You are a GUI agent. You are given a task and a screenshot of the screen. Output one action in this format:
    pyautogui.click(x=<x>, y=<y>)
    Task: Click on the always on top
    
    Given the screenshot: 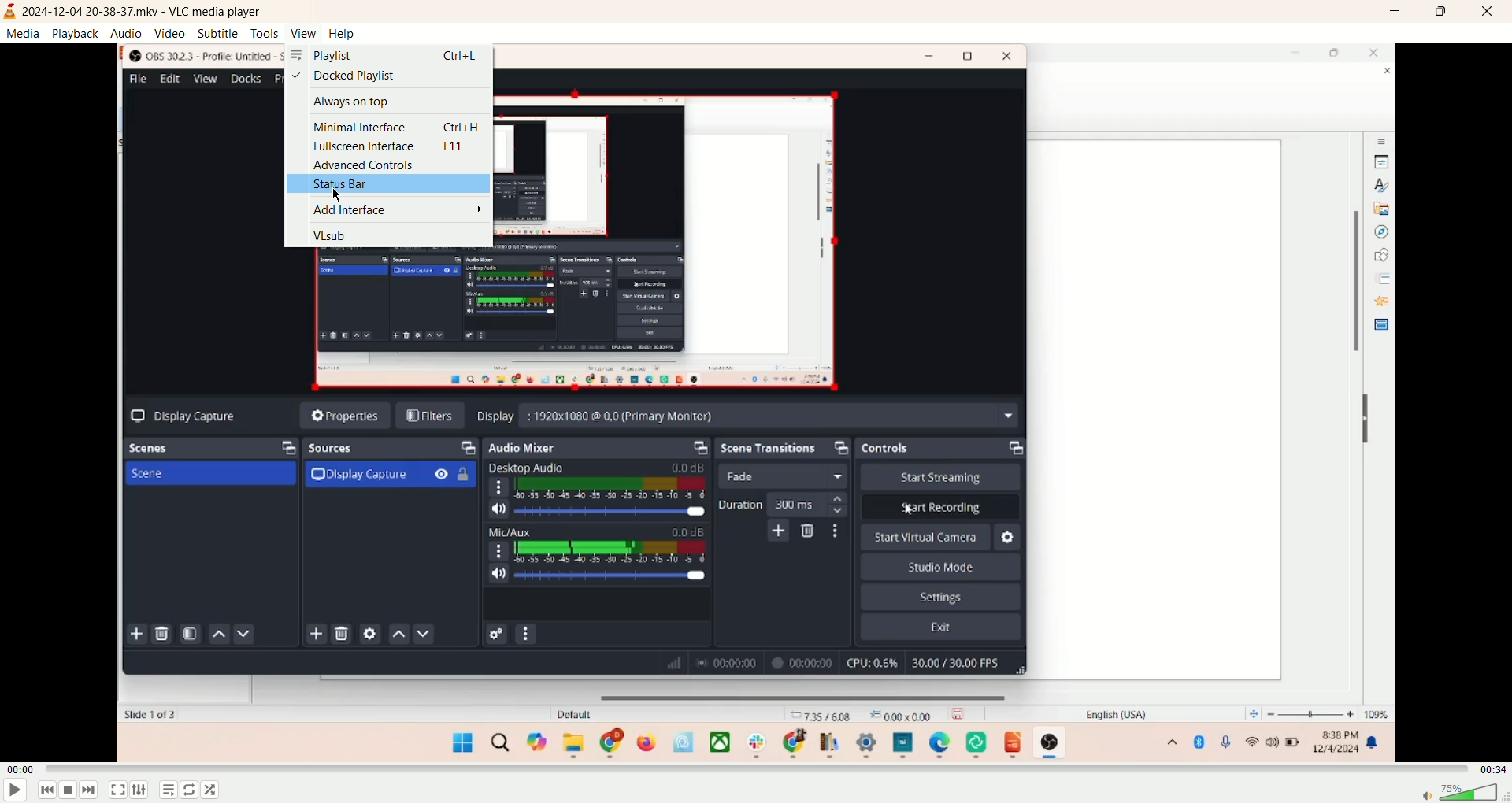 What is the action you would take?
    pyautogui.click(x=349, y=102)
    